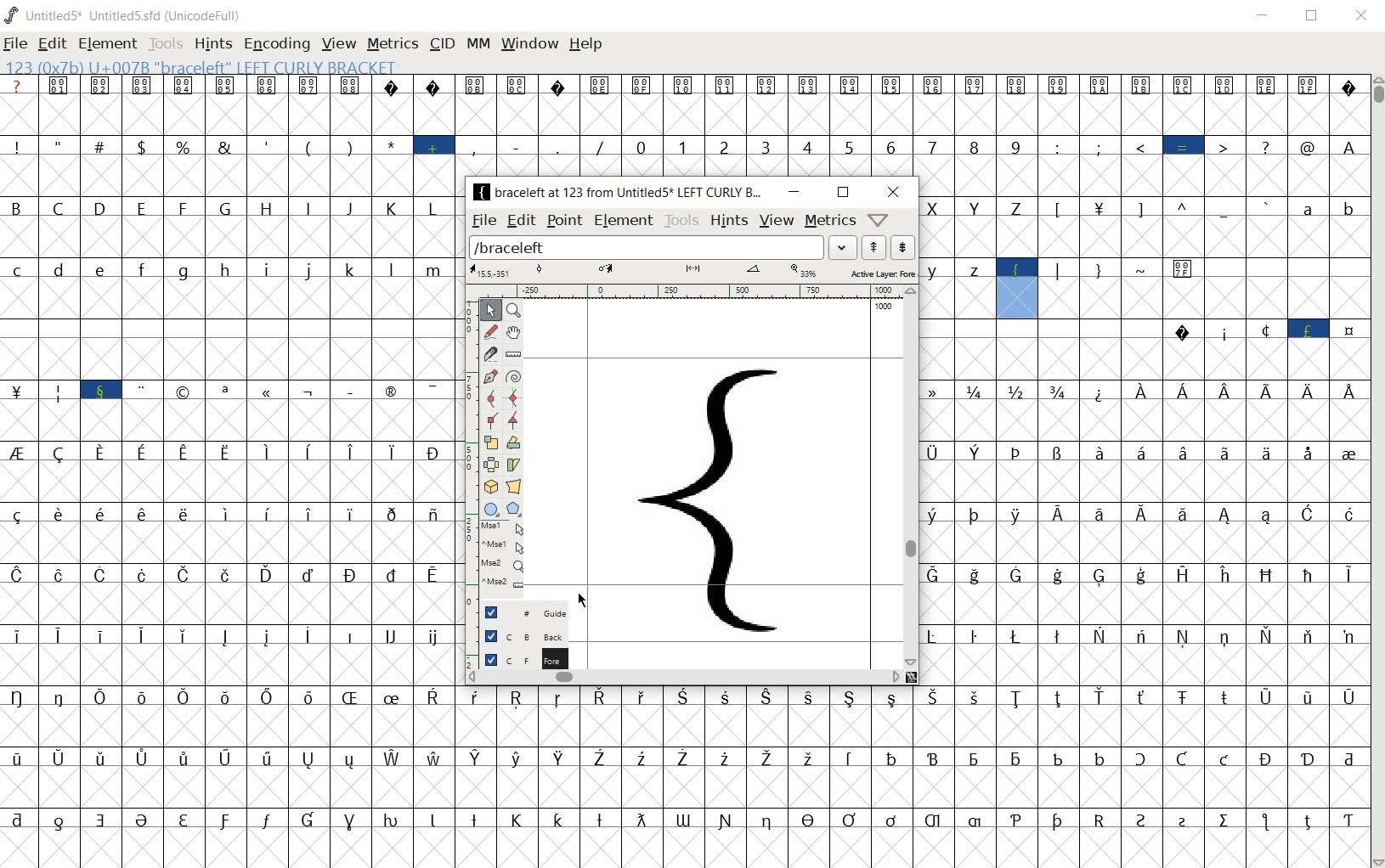  I want to click on mm, so click(478, 45).